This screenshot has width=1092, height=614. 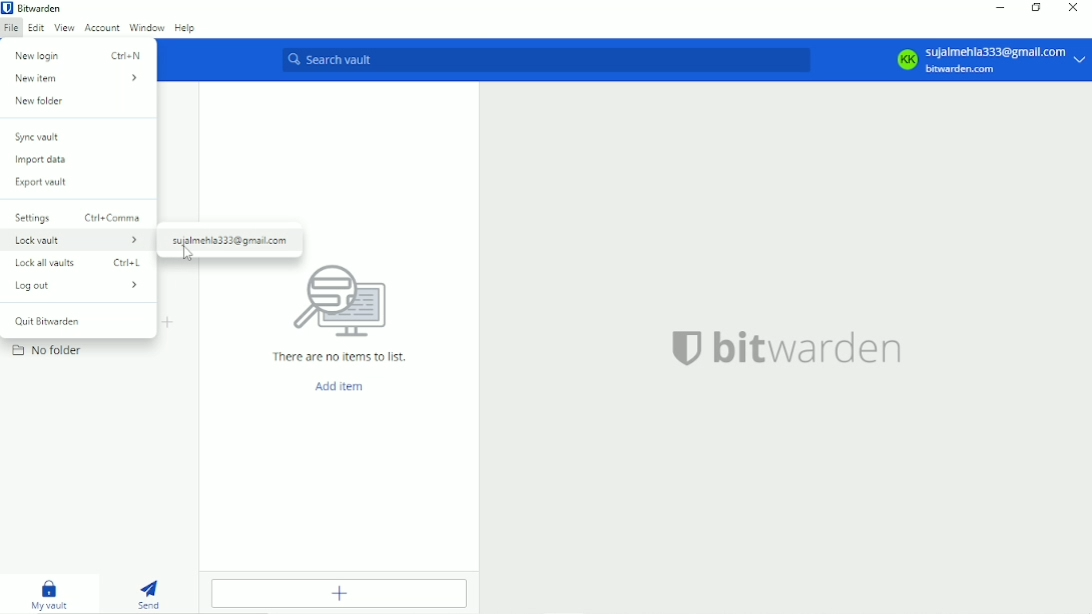 What do you see at coordinates (55, 320) in the screenshot?
I see `Quit Bitwarden` at bounding box center [55, 320].